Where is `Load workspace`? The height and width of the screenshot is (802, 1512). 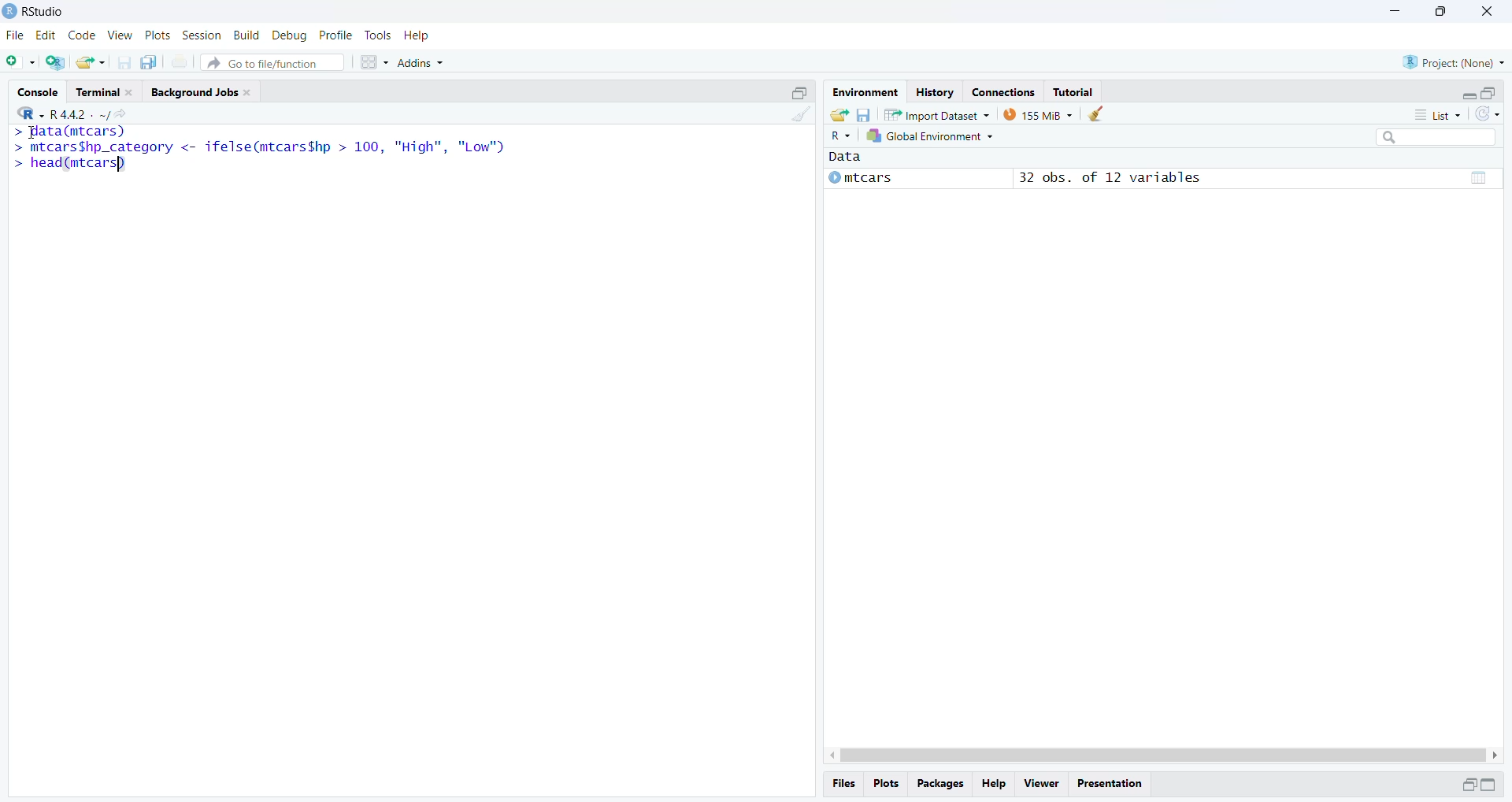 Load workspace is located at coordinates (837, 114).